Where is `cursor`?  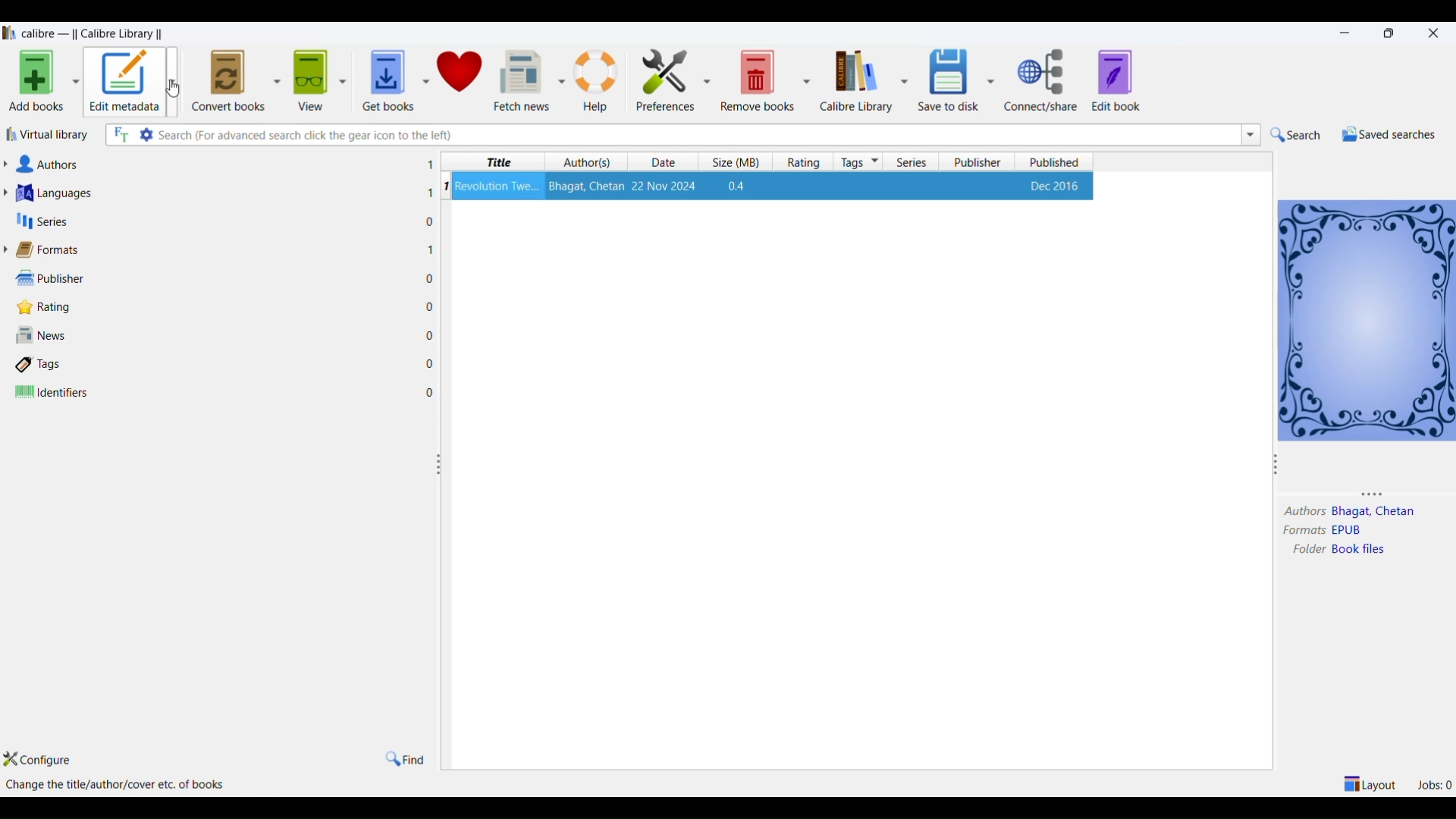 cursor is located at coordinates (176, 89).